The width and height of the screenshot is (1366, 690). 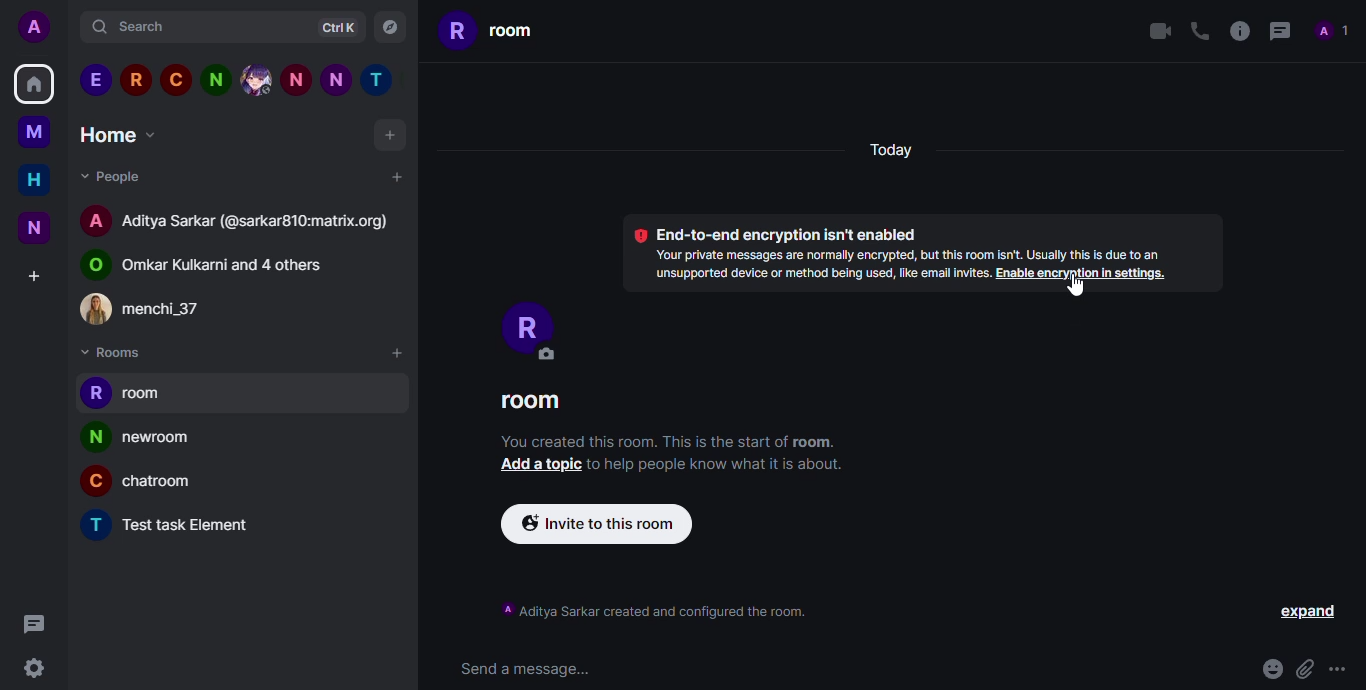 I want to click on people 8, so click(x=381, y=81).